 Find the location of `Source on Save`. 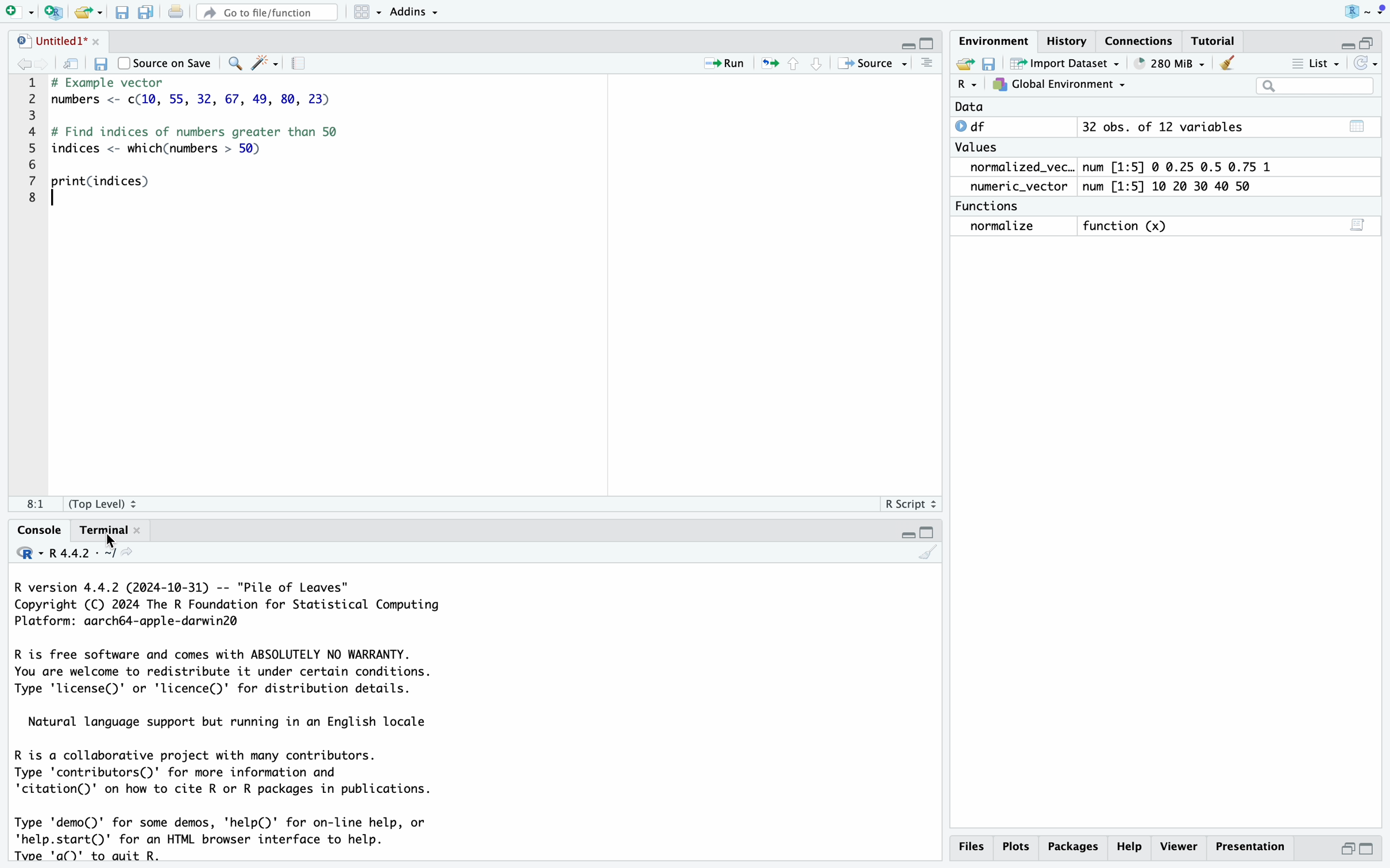

Source on Save is located at coordinates (166, 63).